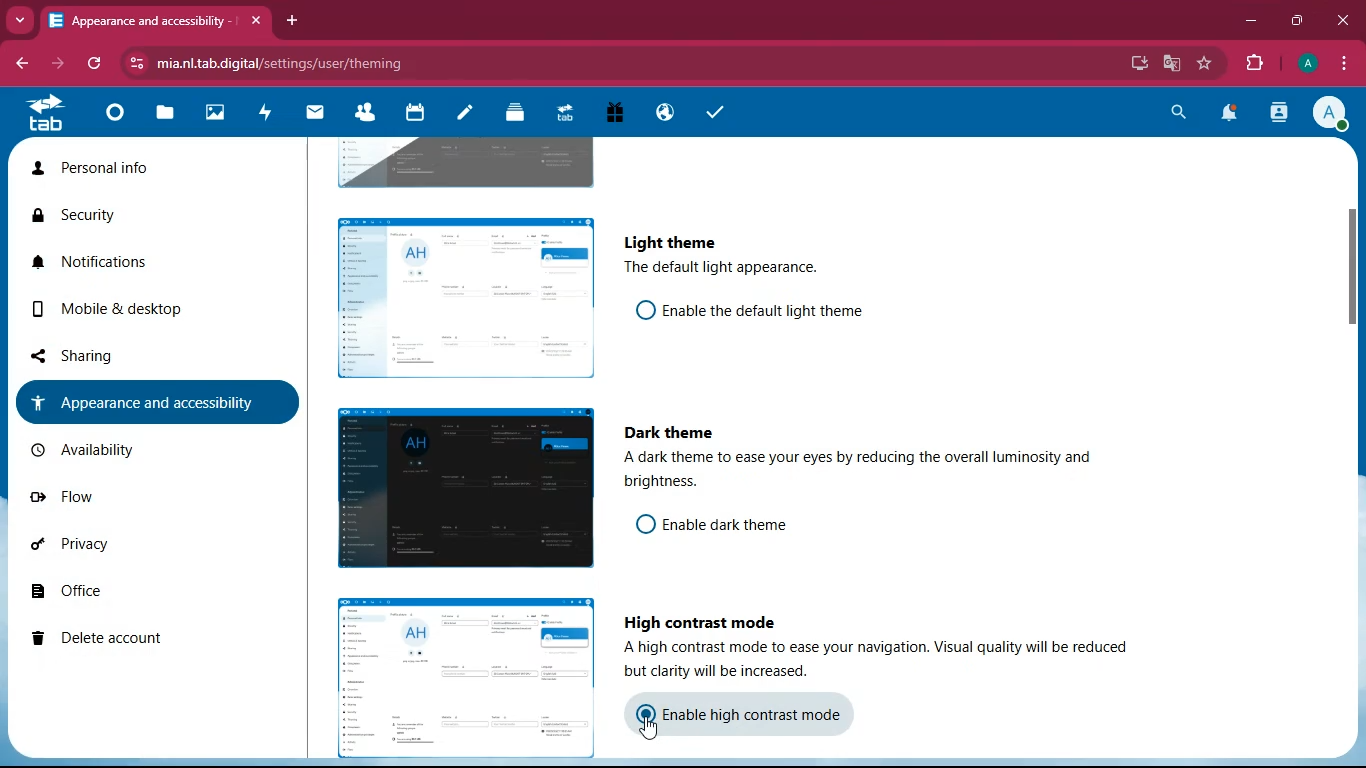 The image size is (1366, 768). What do you see at coordinates (461, 115) in the screenshot?
I see `notes` at bounding box center [461, 115].